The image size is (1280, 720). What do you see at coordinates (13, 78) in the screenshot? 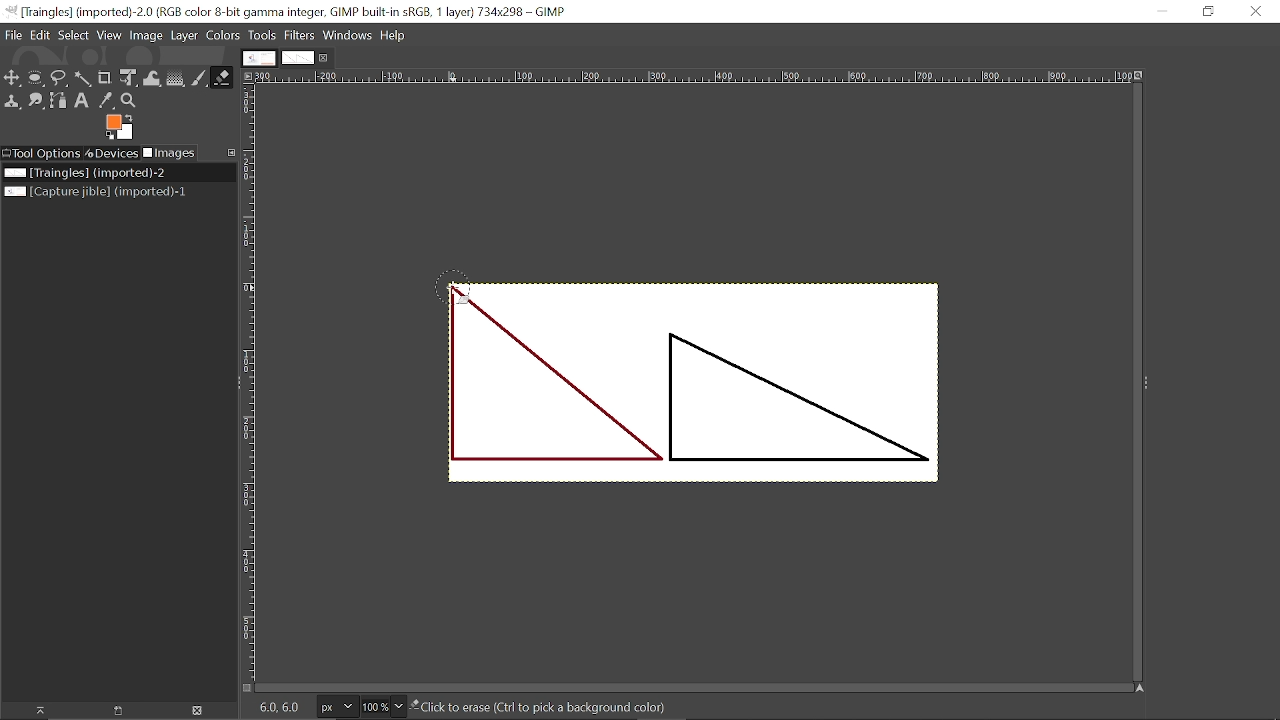
I see `Move tool` at bounding box center [13, 78].